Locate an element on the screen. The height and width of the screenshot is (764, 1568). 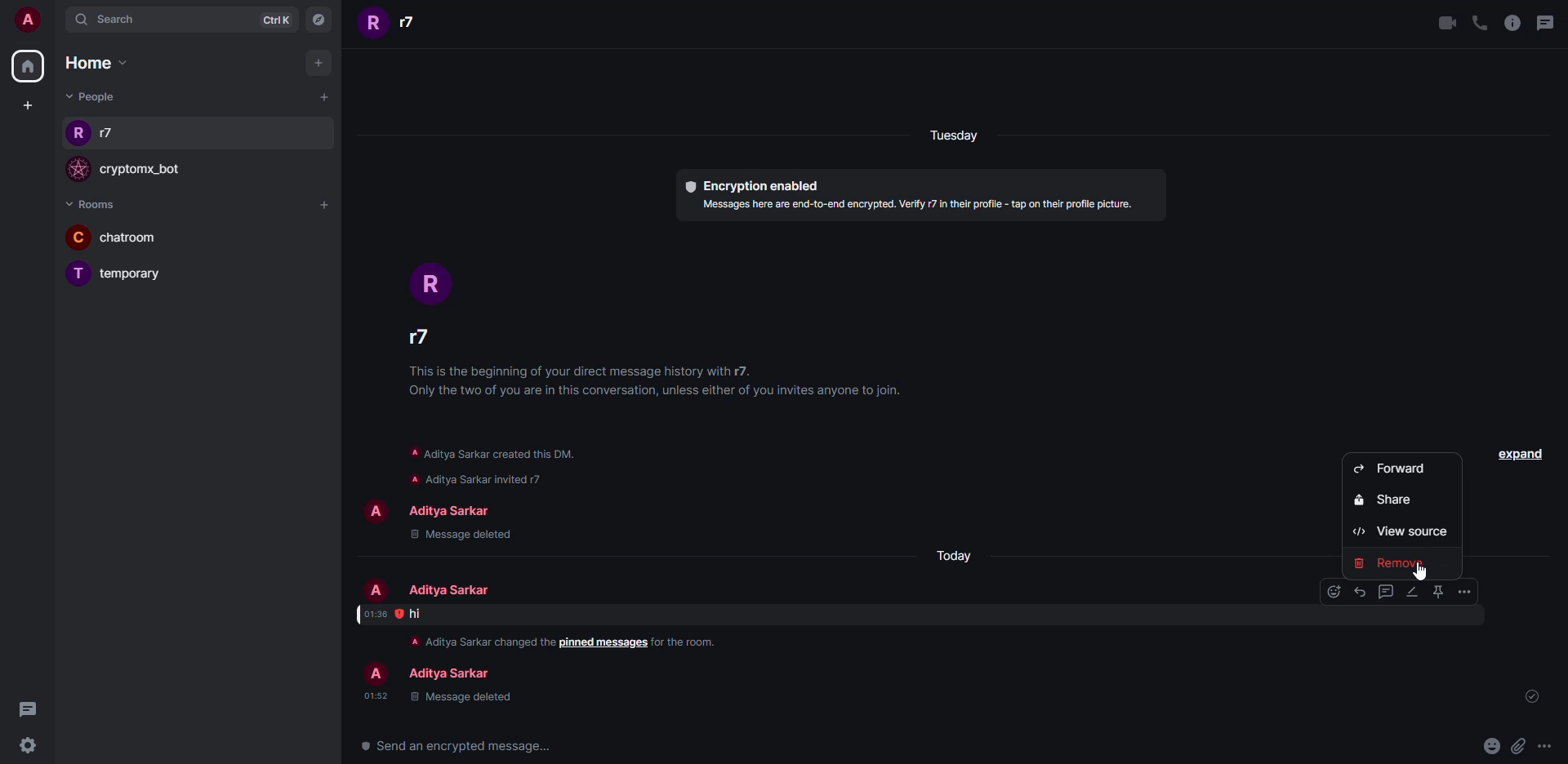
people is located at coordinates (113, 134).